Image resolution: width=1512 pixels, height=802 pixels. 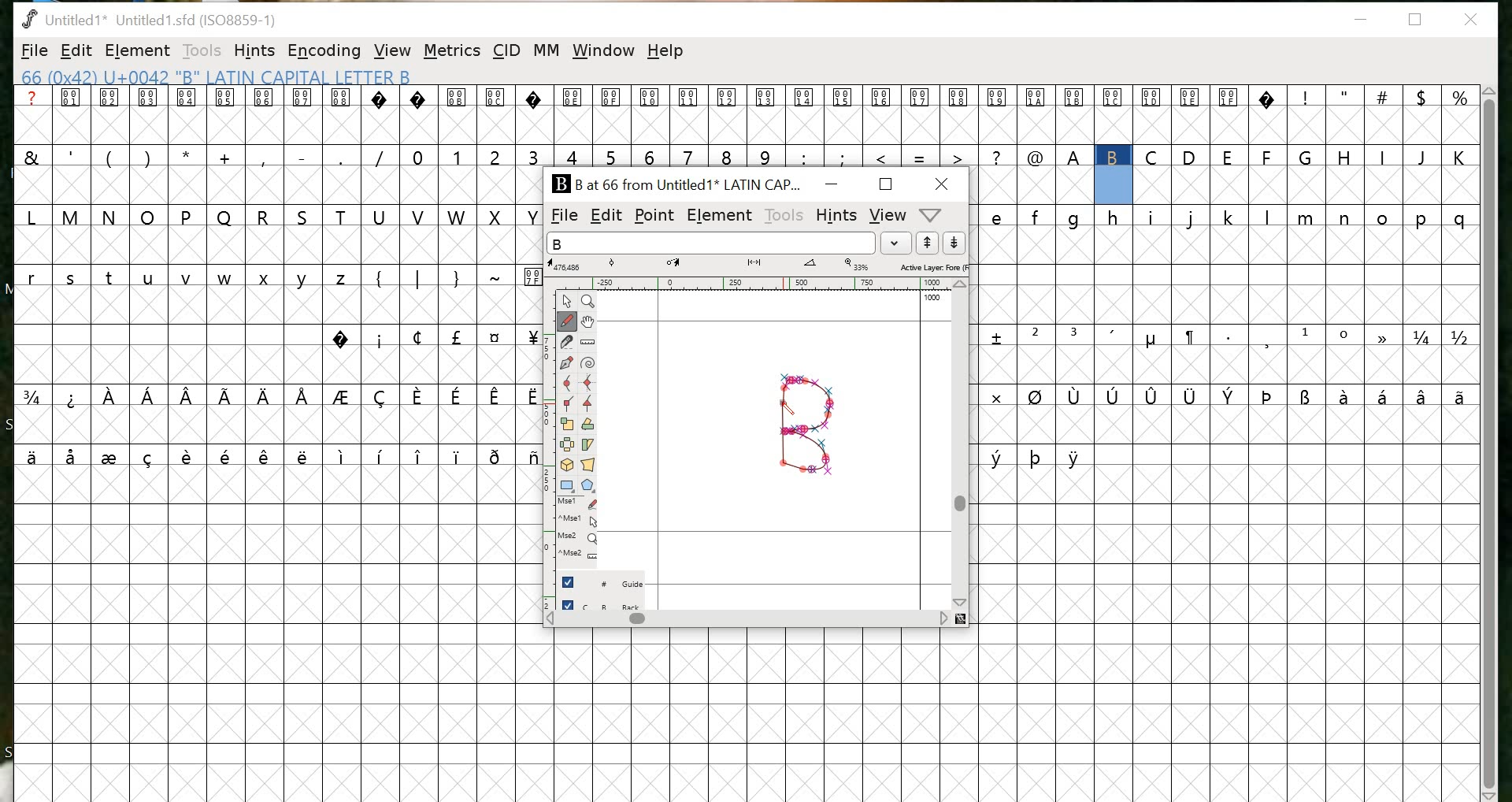 What do you see at coordinates (760, 265) in the screenshot?
I see `measurements` at bounding box center [760, 265].